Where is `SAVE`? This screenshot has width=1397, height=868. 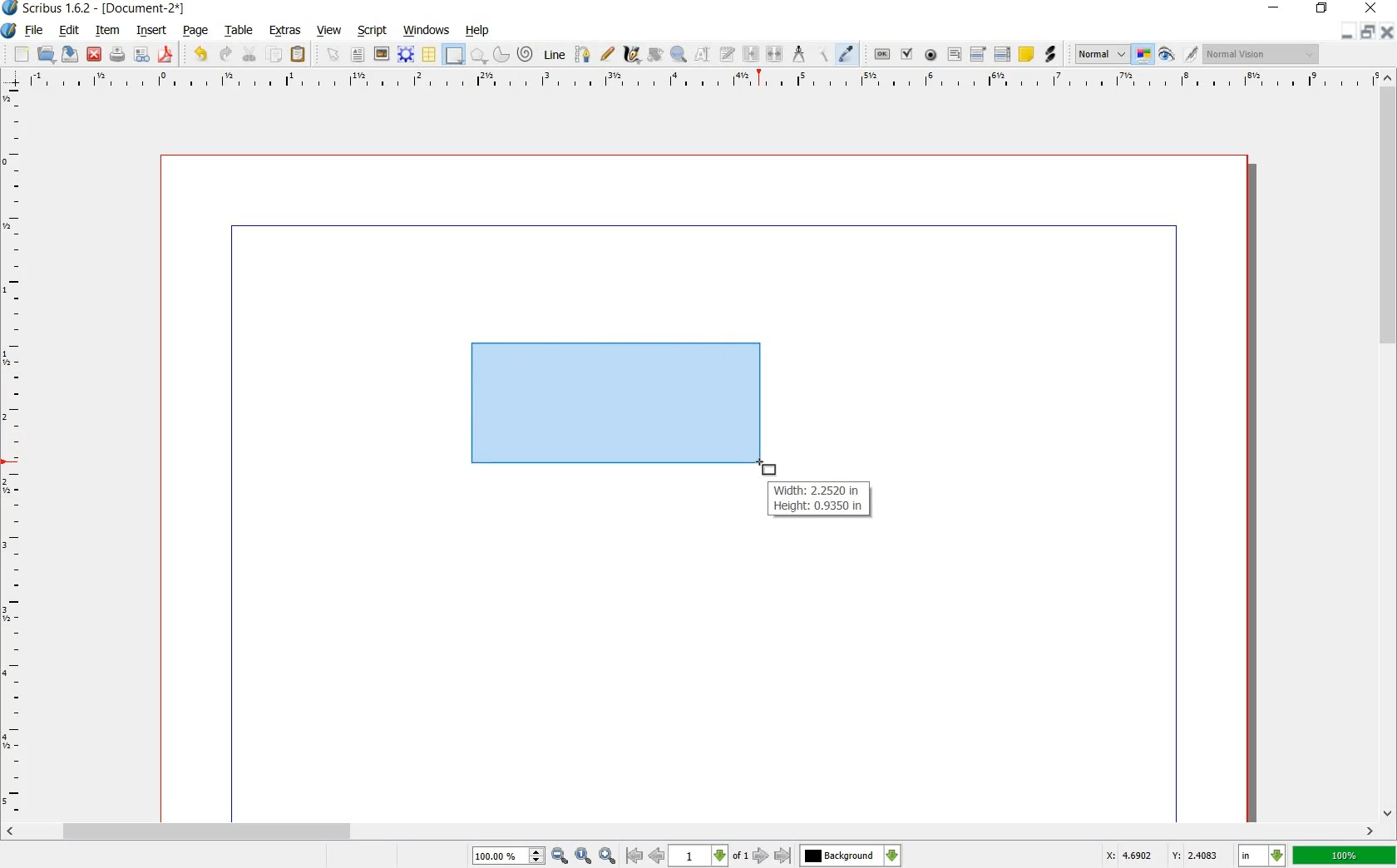 SAVE is located at coordinates (68, 54).